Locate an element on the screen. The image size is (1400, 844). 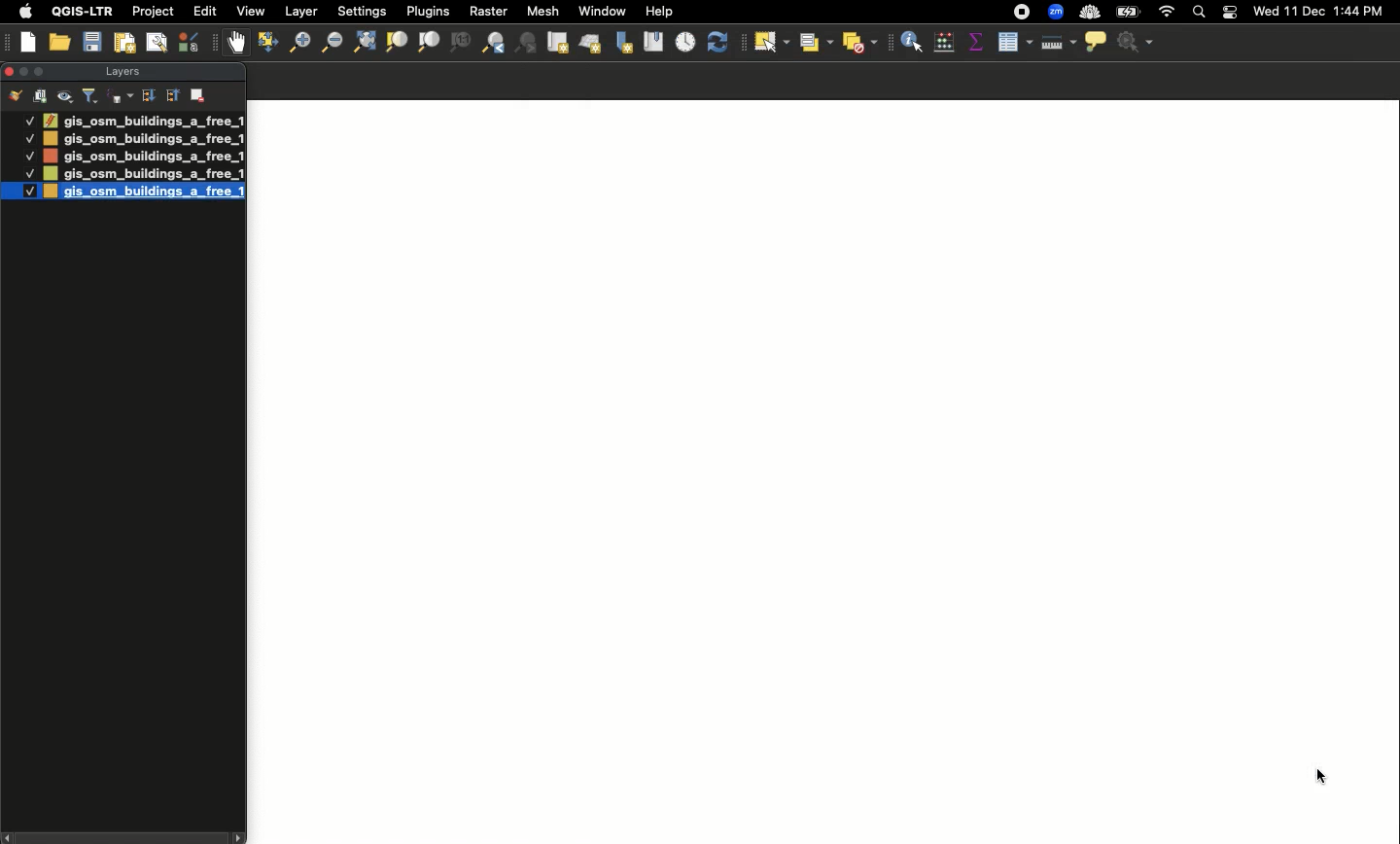
Grab is located at coordinates (237, 42).